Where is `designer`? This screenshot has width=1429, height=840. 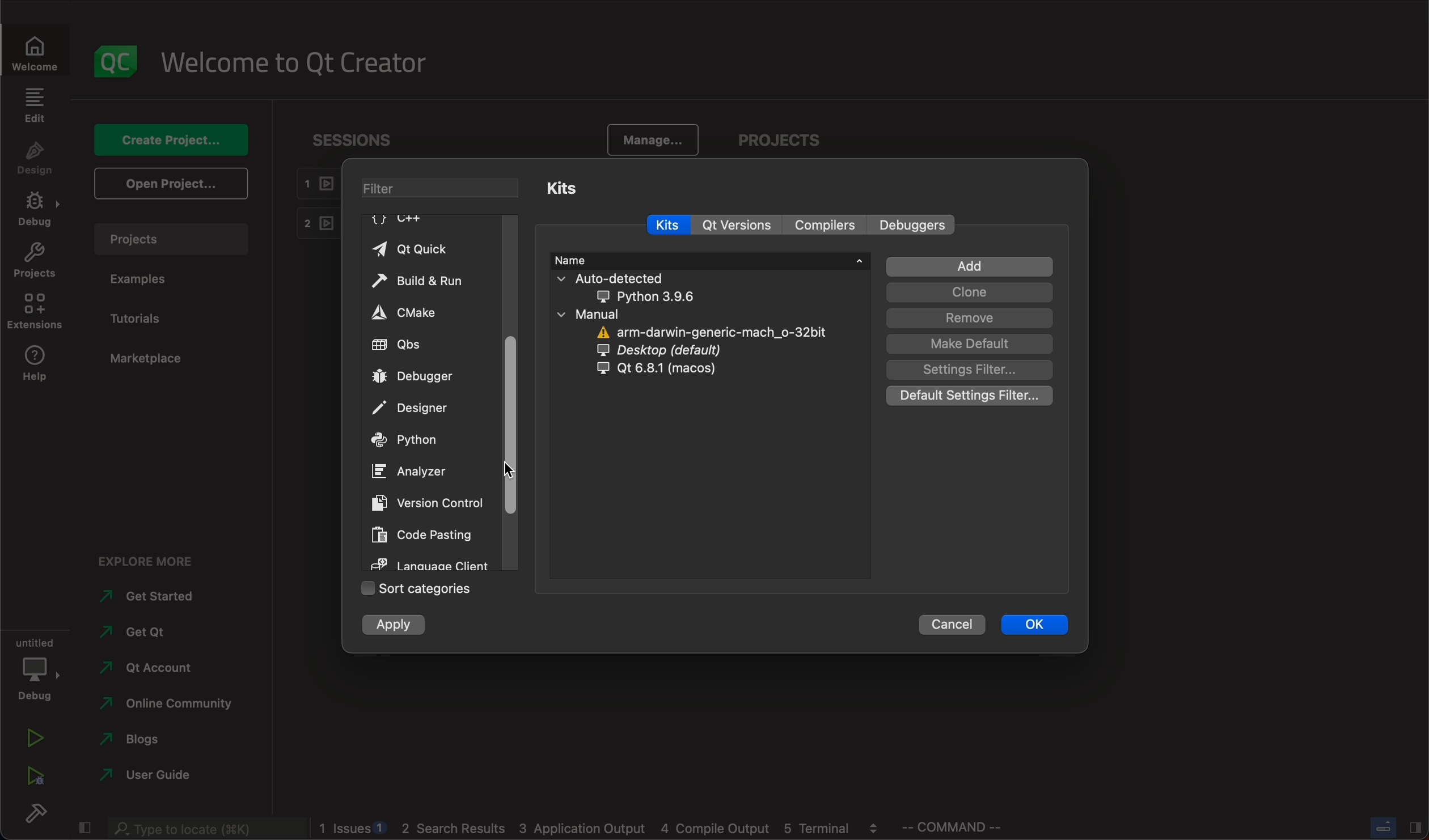 designer is located at coordinates (424, 405).